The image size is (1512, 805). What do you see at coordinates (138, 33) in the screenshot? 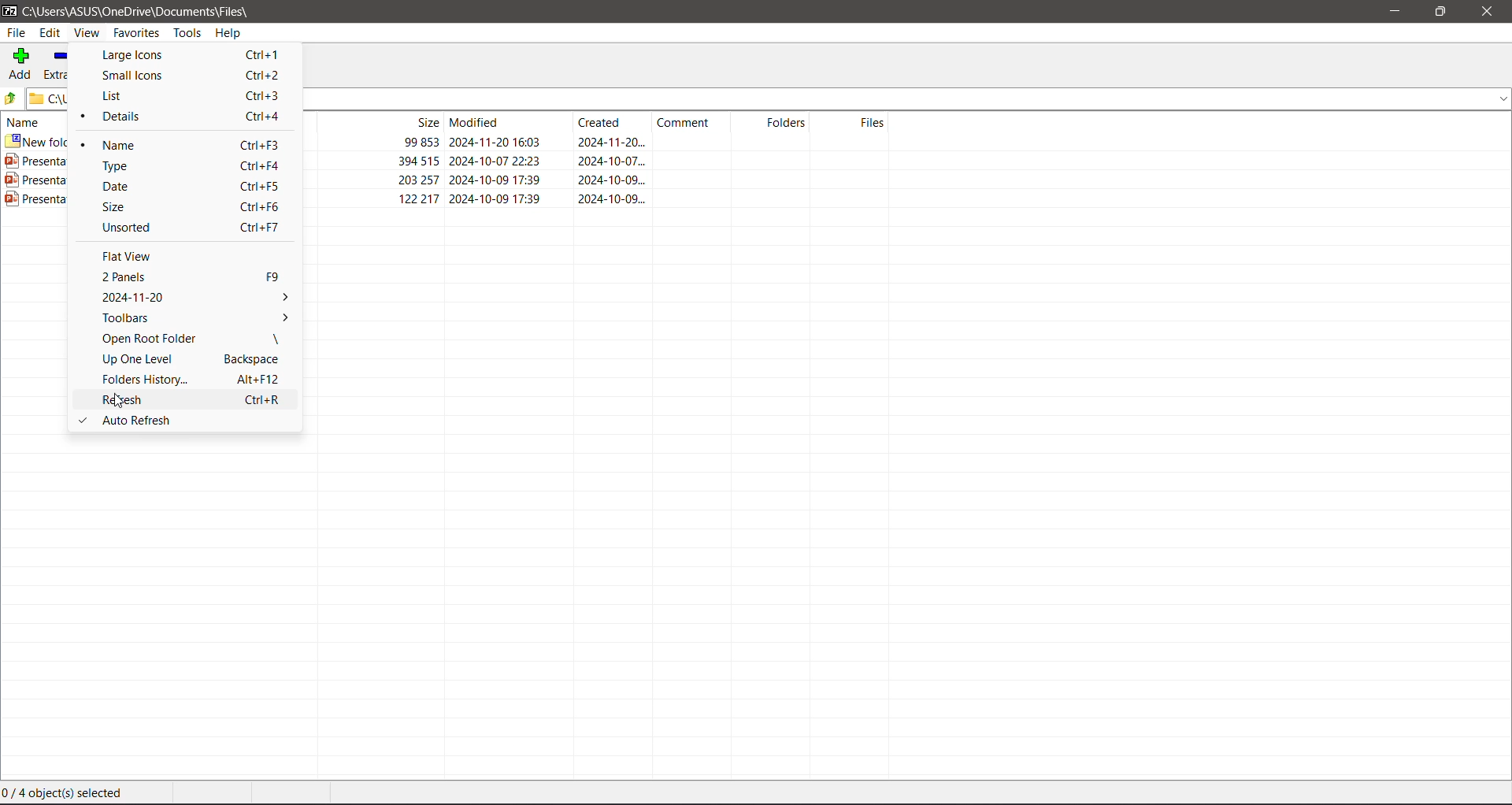
I see `Favorites` at bounding box center [138, 33].